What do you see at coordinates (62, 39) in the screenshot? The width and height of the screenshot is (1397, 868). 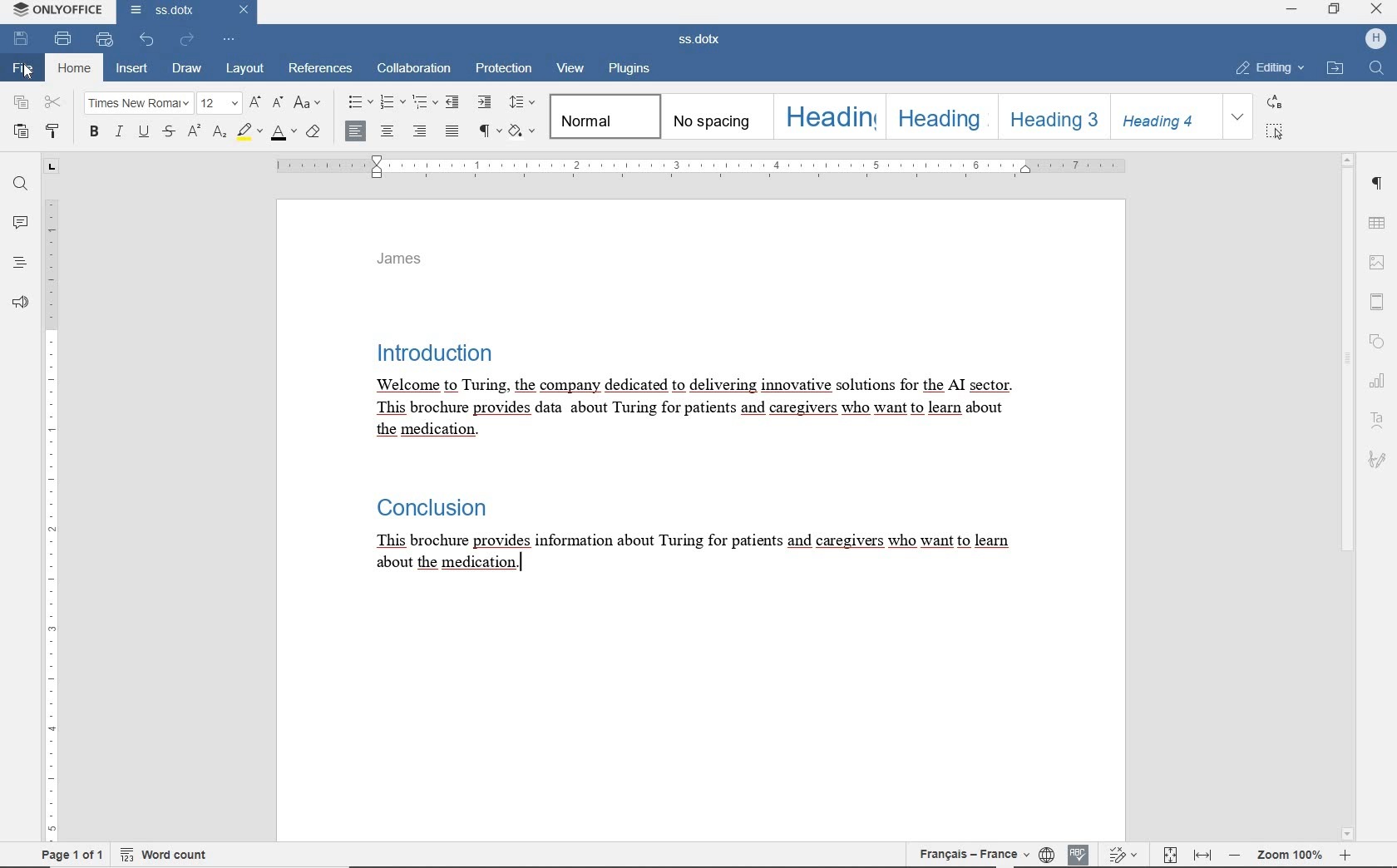 I see `PRINT` at bounding box center [62, 39].